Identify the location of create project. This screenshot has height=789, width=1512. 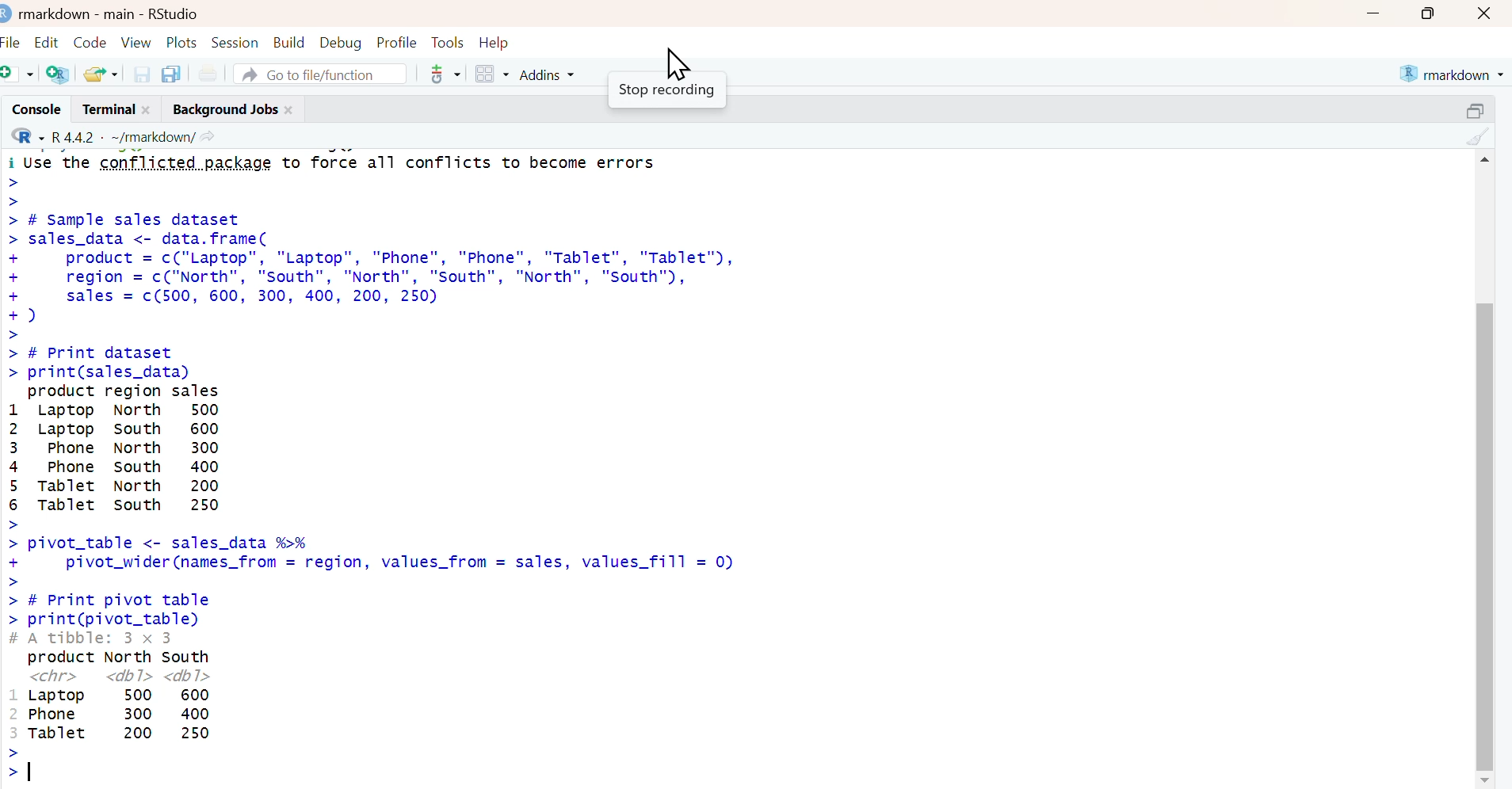
(57, 74).